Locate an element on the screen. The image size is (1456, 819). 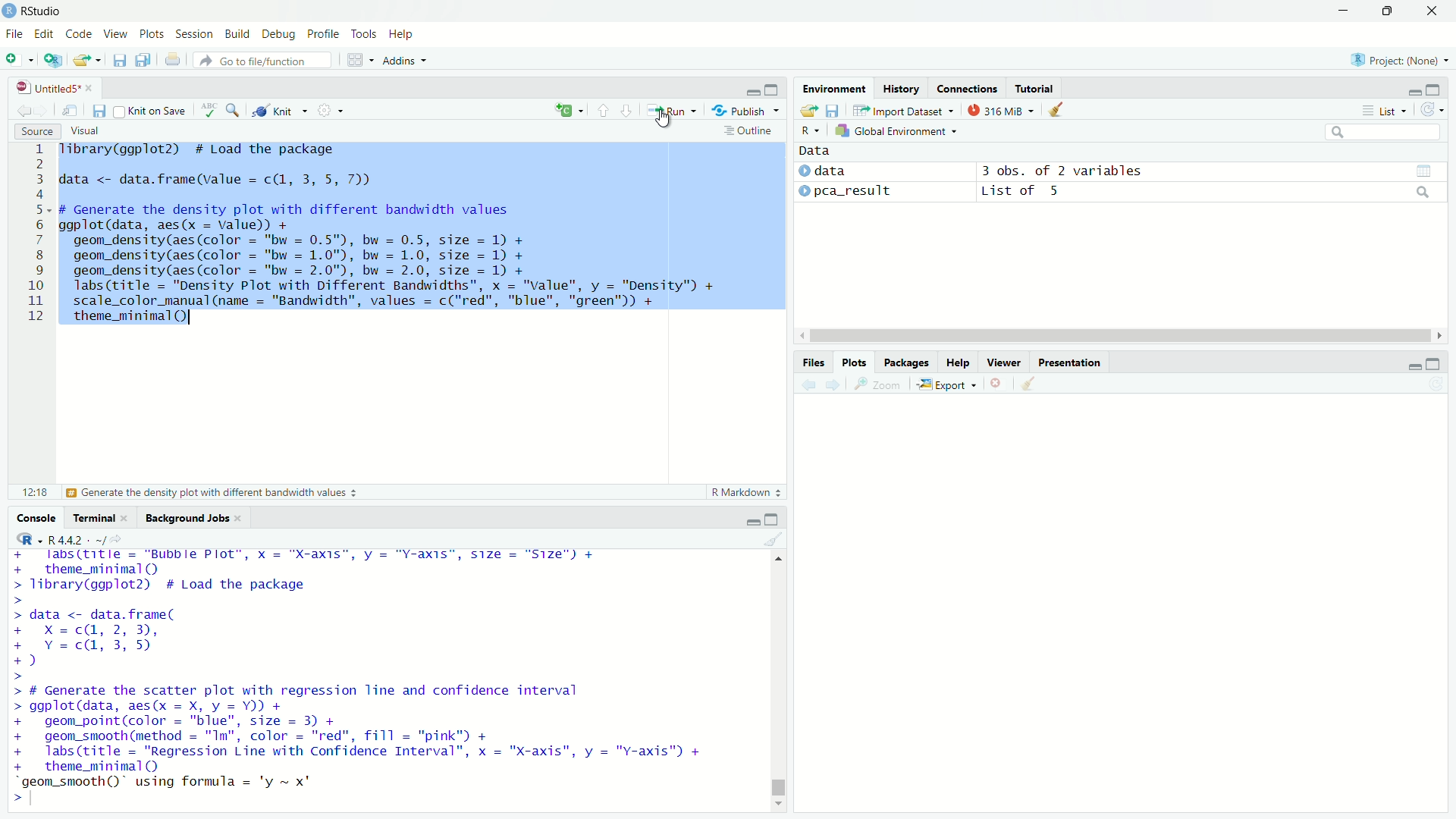
New file is located at coordinates (20, 59).